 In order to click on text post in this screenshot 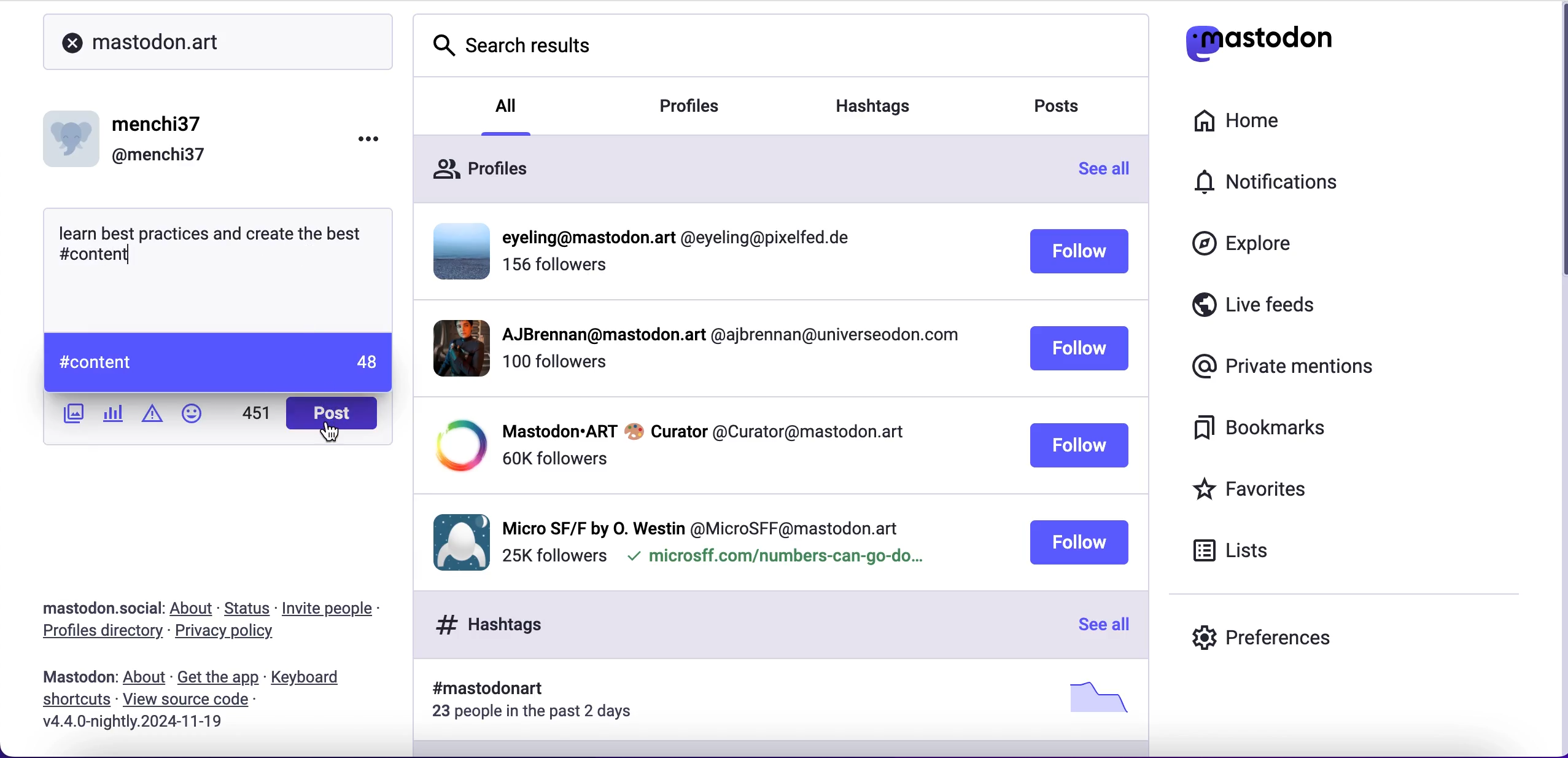, I will do `click(215, 241)`.